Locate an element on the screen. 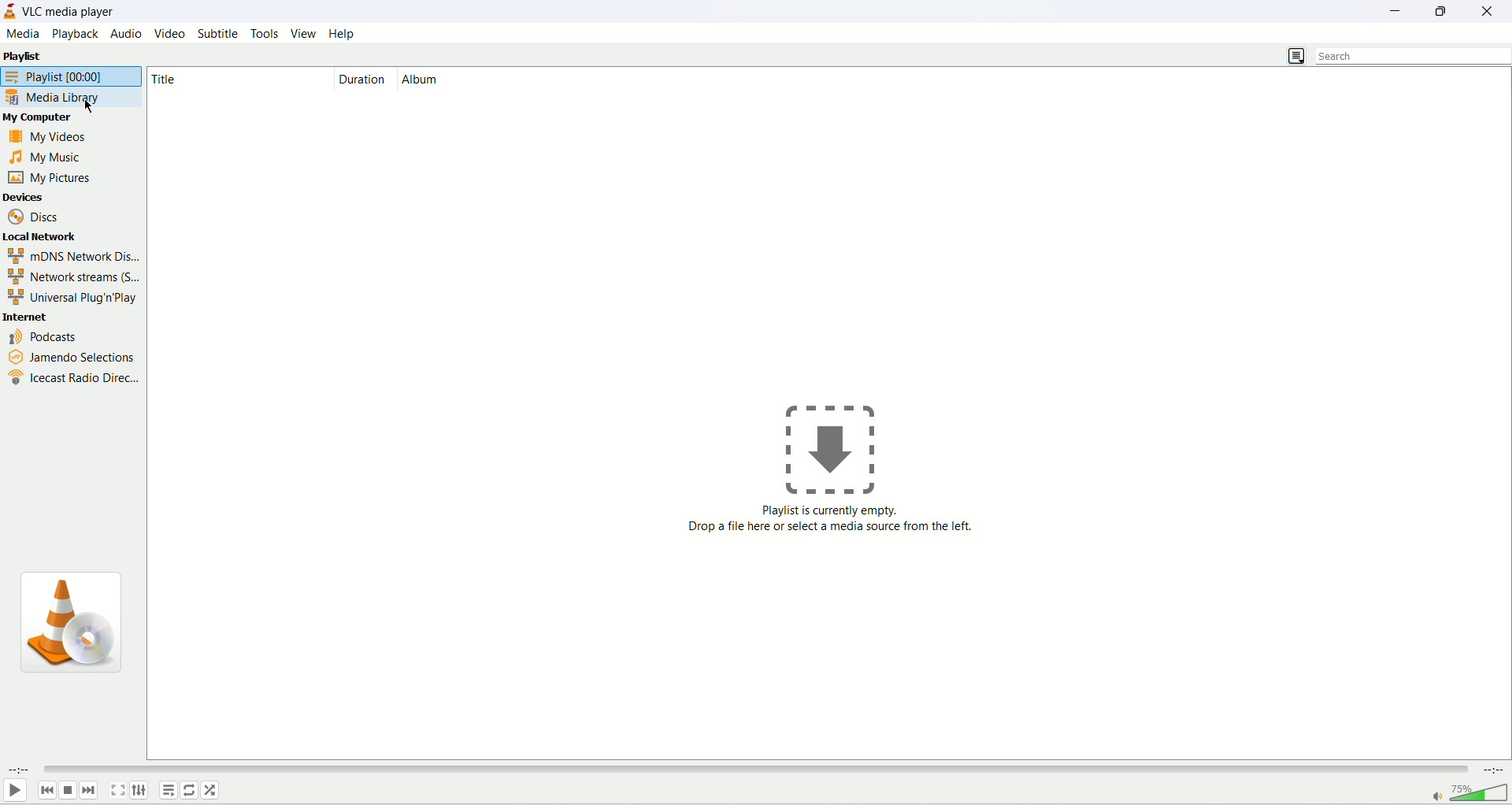  audio is located at coordinates (127, 32).